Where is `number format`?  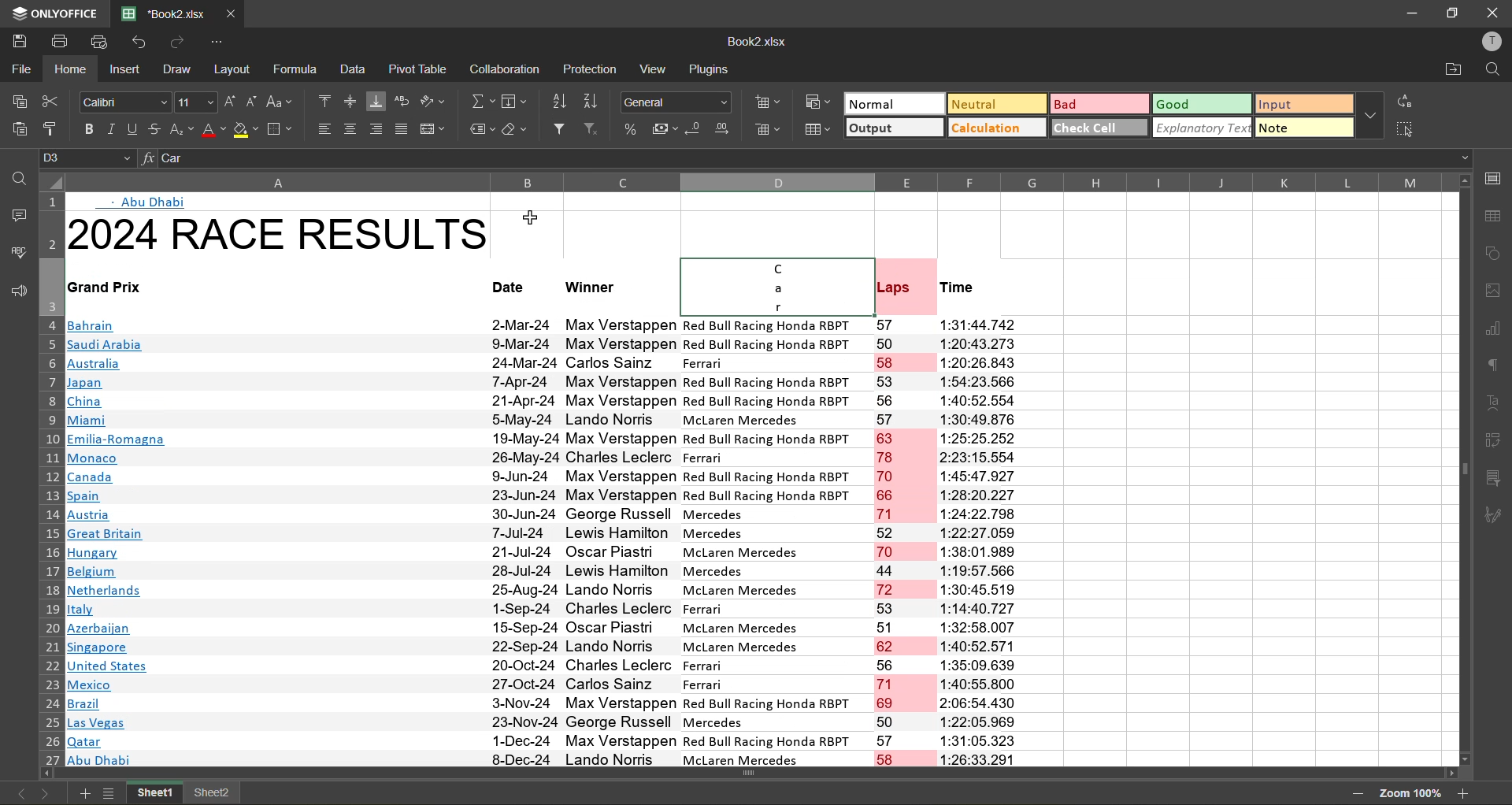 number format is located at coordinates (676, 101).